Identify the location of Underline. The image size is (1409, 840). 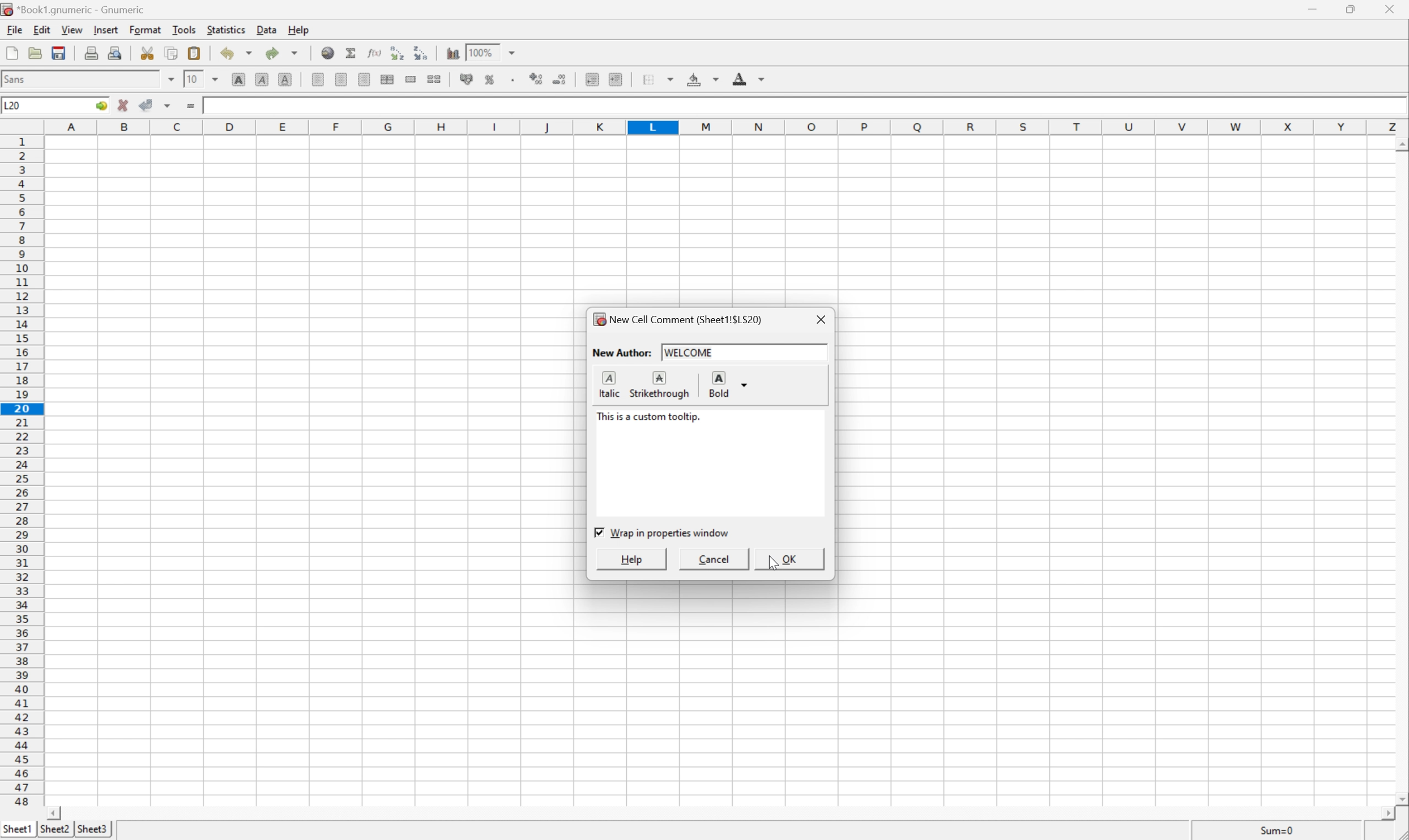
(285, 79).